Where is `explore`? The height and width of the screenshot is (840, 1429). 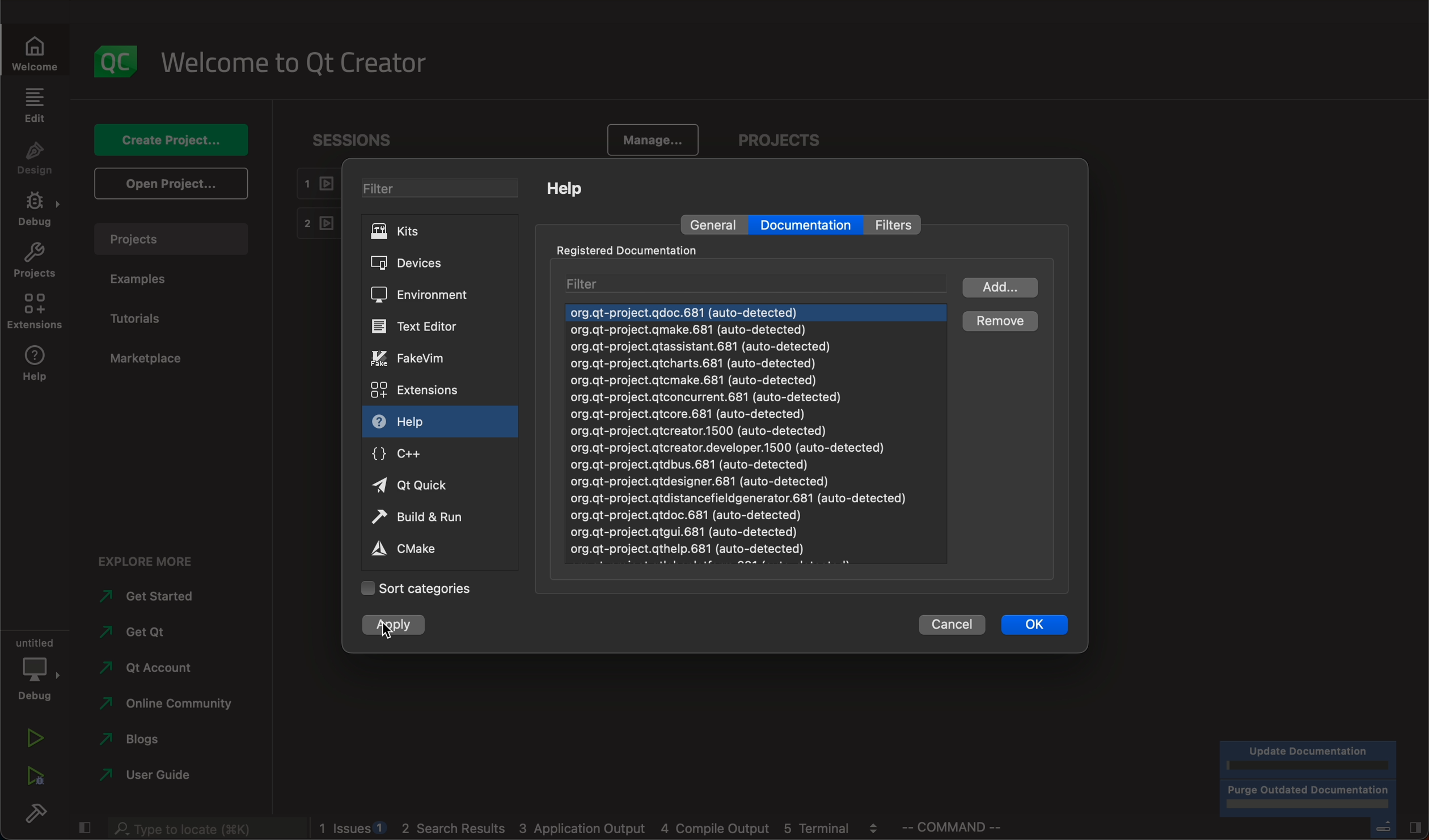
explore is located at coordinates (160, 564).